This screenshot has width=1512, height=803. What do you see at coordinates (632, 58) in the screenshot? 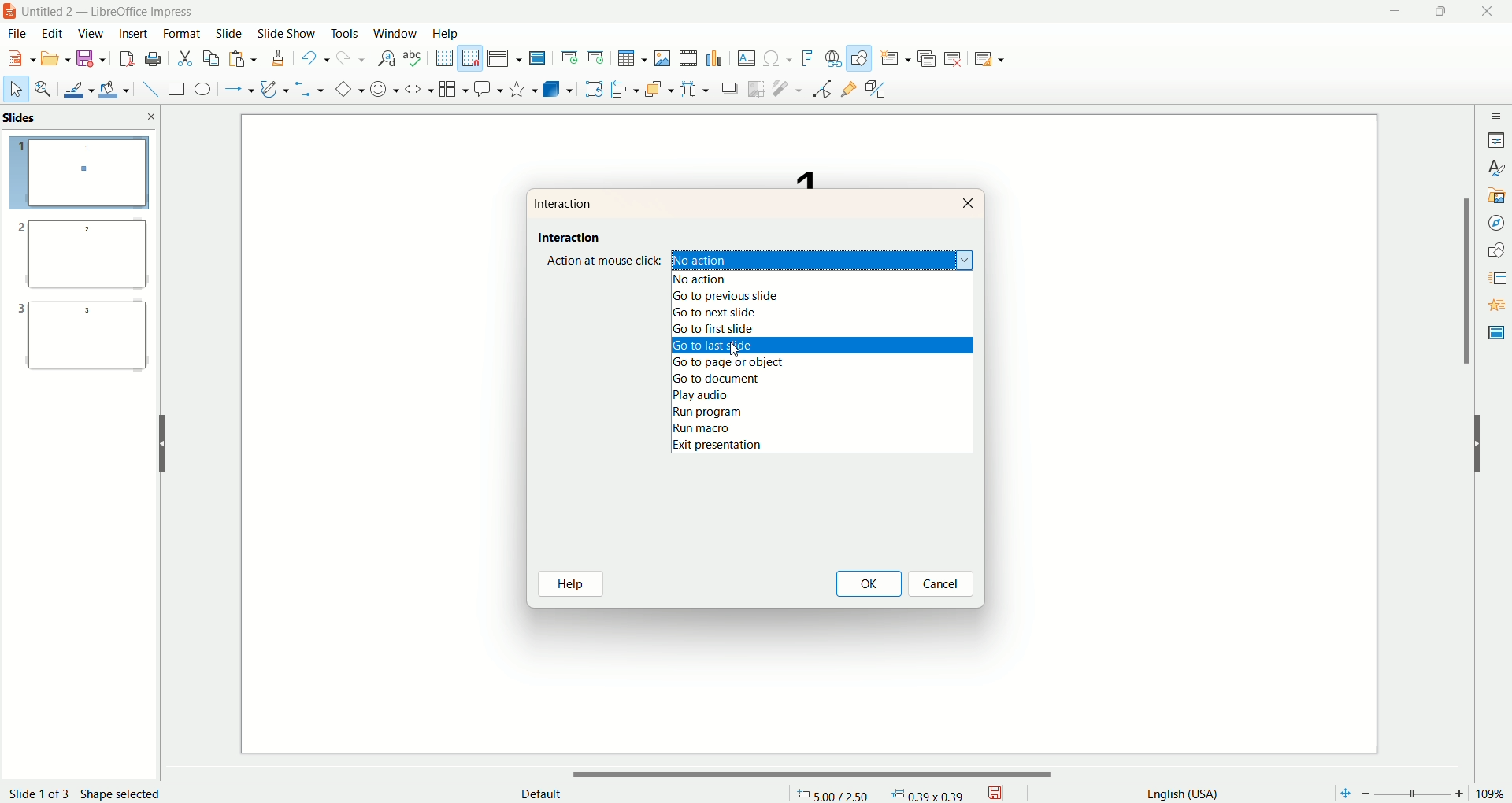
I see `insert table` at bounding box center [632, 58].